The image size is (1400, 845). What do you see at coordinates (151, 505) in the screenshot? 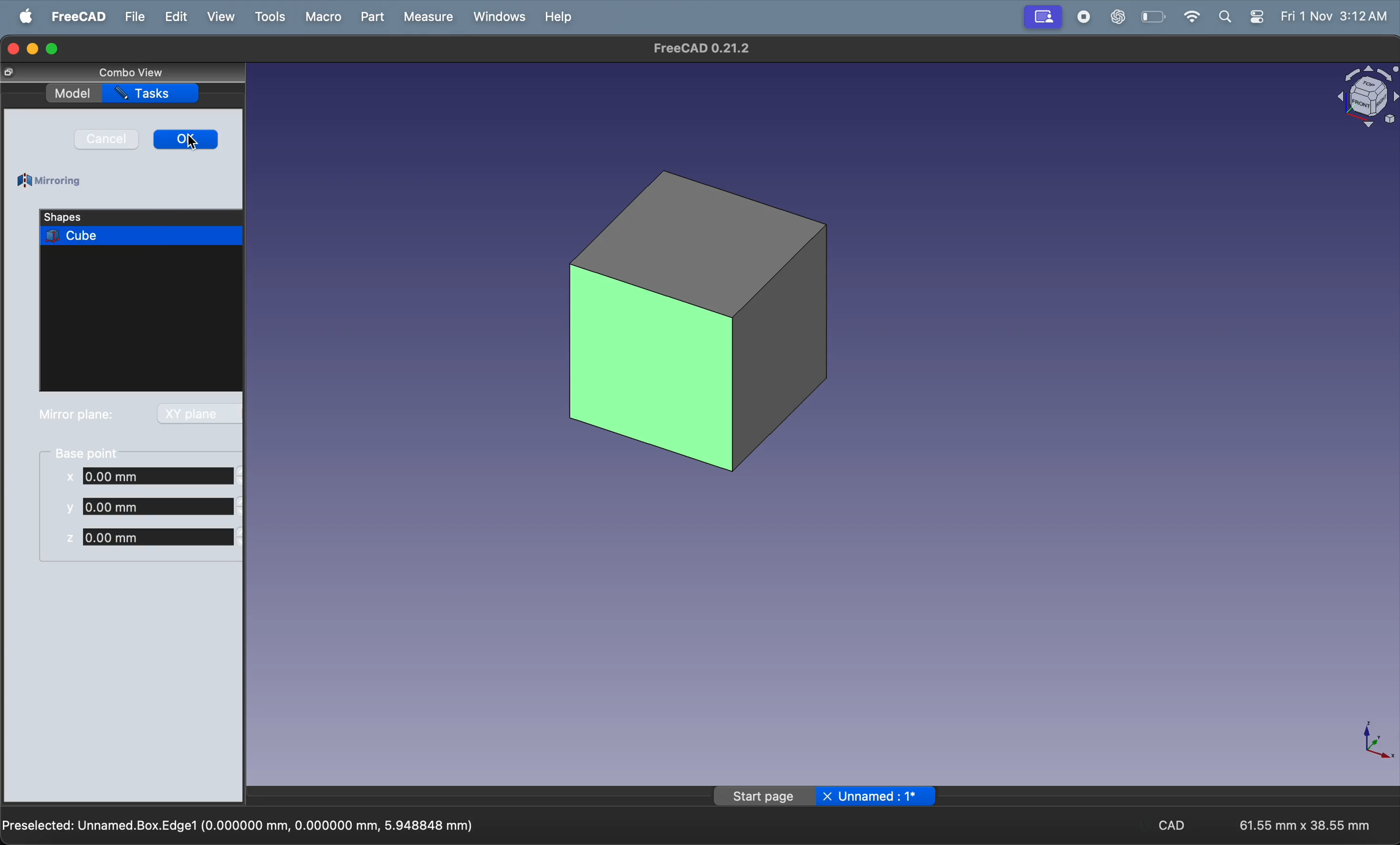
I see `y cordinate` at bounding box center [151, 505].